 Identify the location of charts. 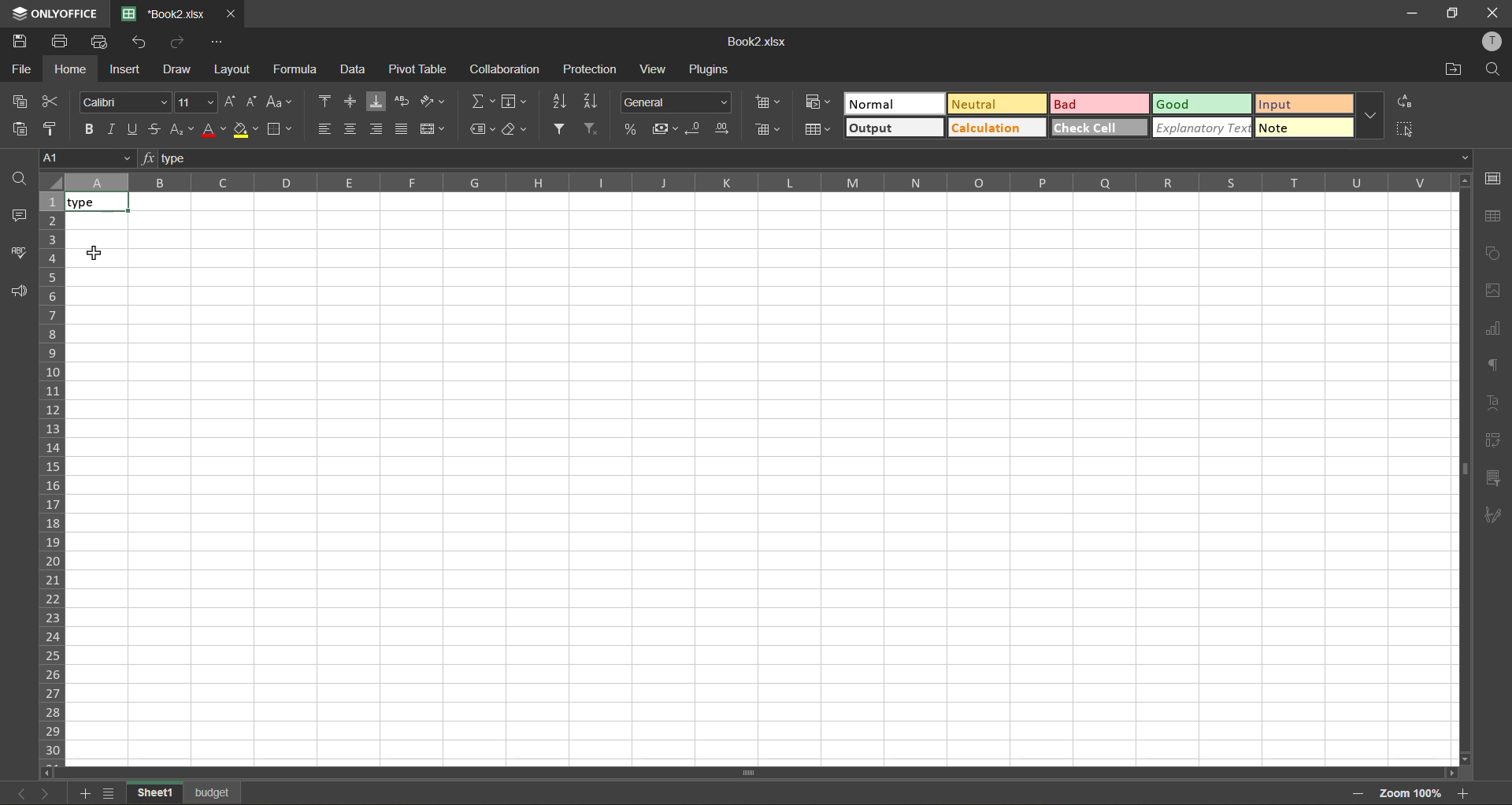
(1497, 328).